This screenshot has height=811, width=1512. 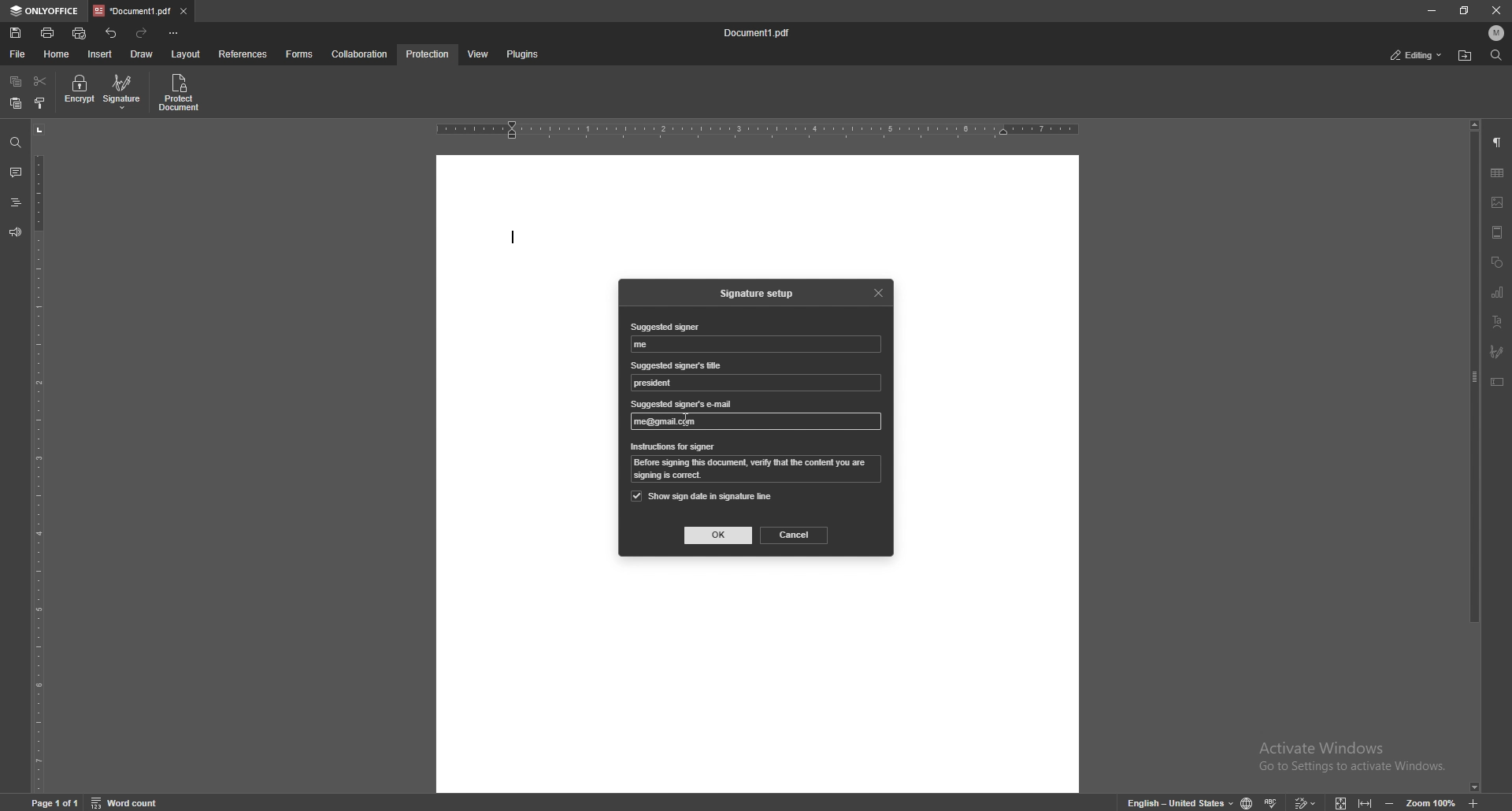 What do you see at coordinates (1174, 802) in the screenshot?
I see `change text language` at bounding box center [1174, 802].